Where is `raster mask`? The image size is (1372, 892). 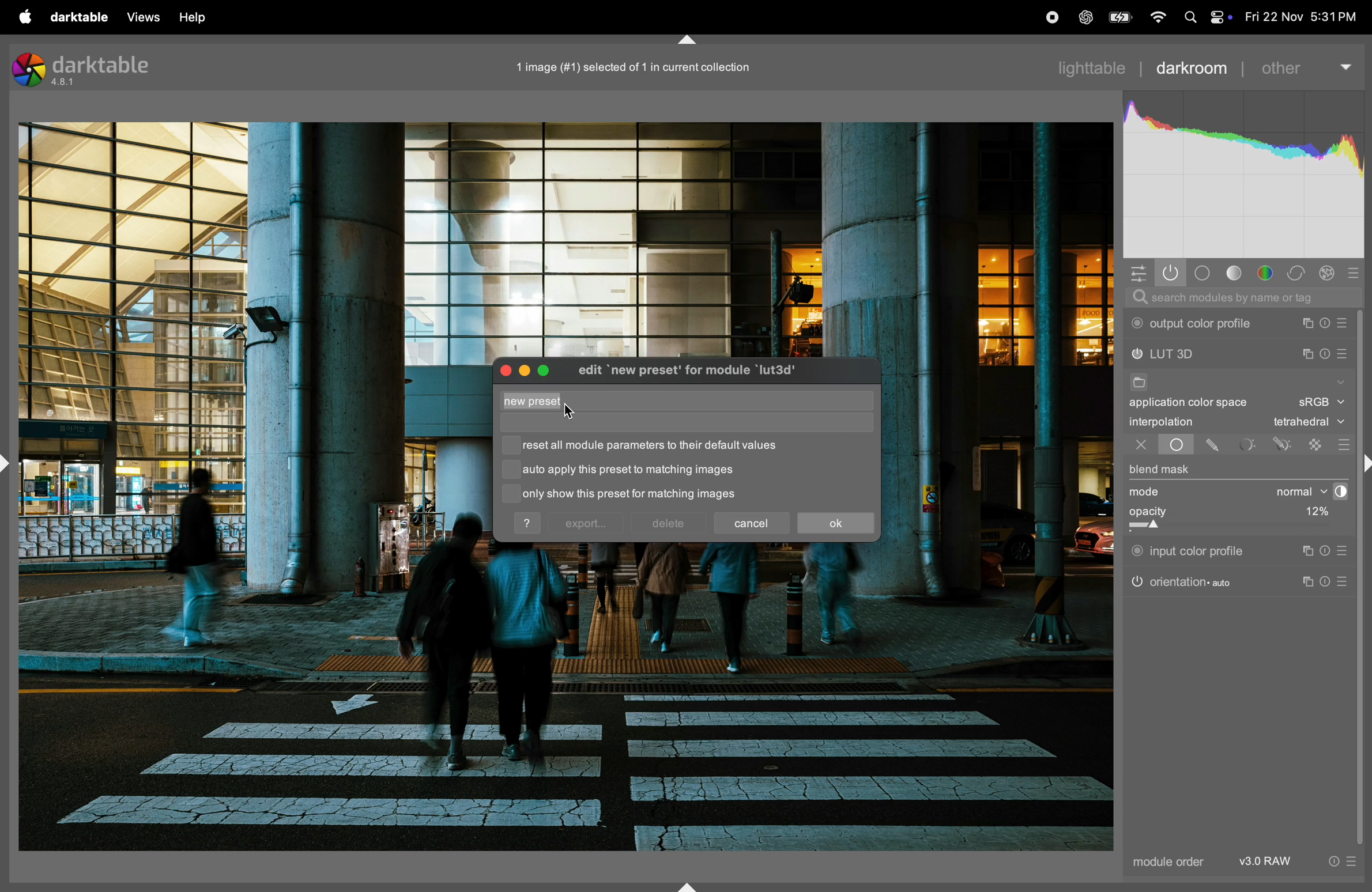
raster mask is located at coordinates (1317, 444).